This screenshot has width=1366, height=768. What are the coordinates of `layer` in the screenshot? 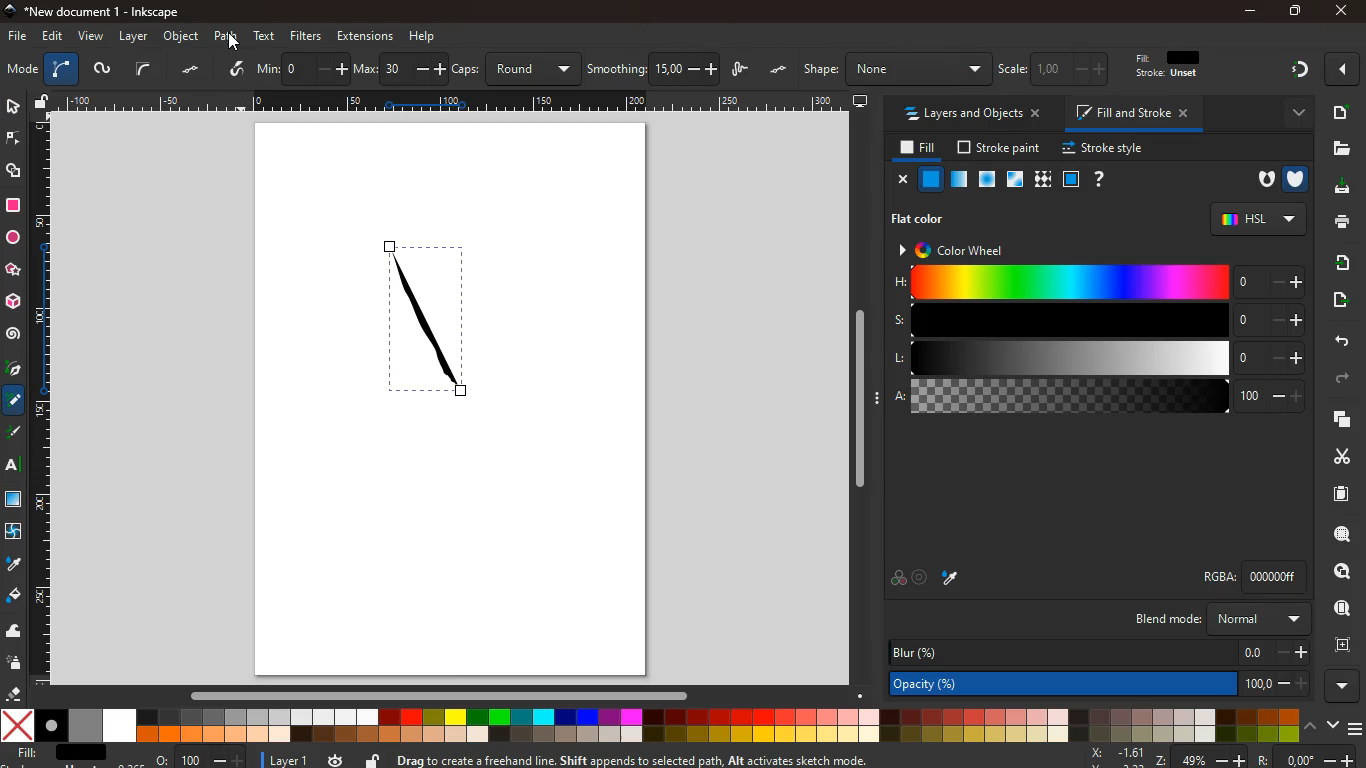 It's located at (136, 37).